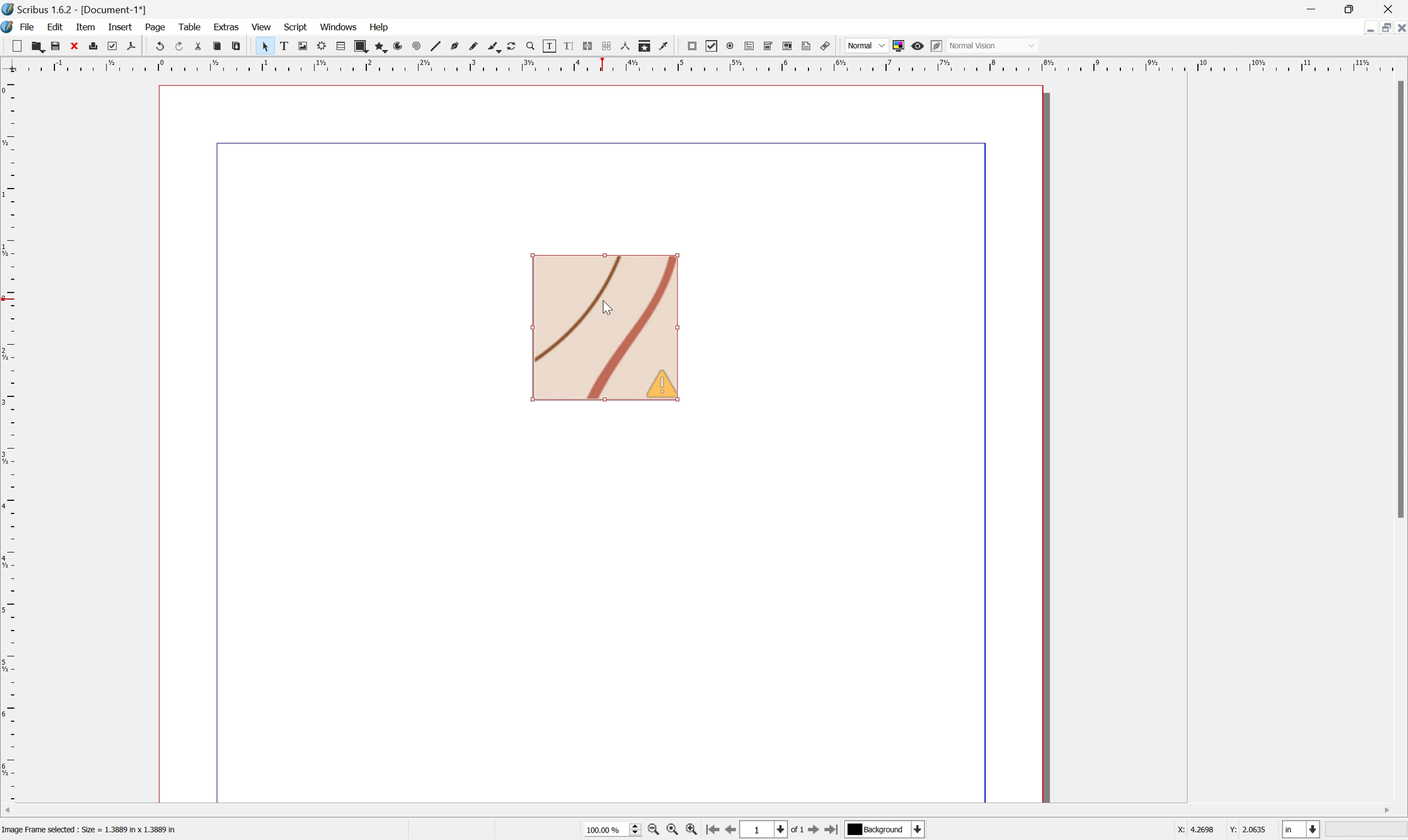 This screenshot has width=1408, height=840. Describe the element at coordinates (29, 26) in the screenshot. I see `File` at that location.